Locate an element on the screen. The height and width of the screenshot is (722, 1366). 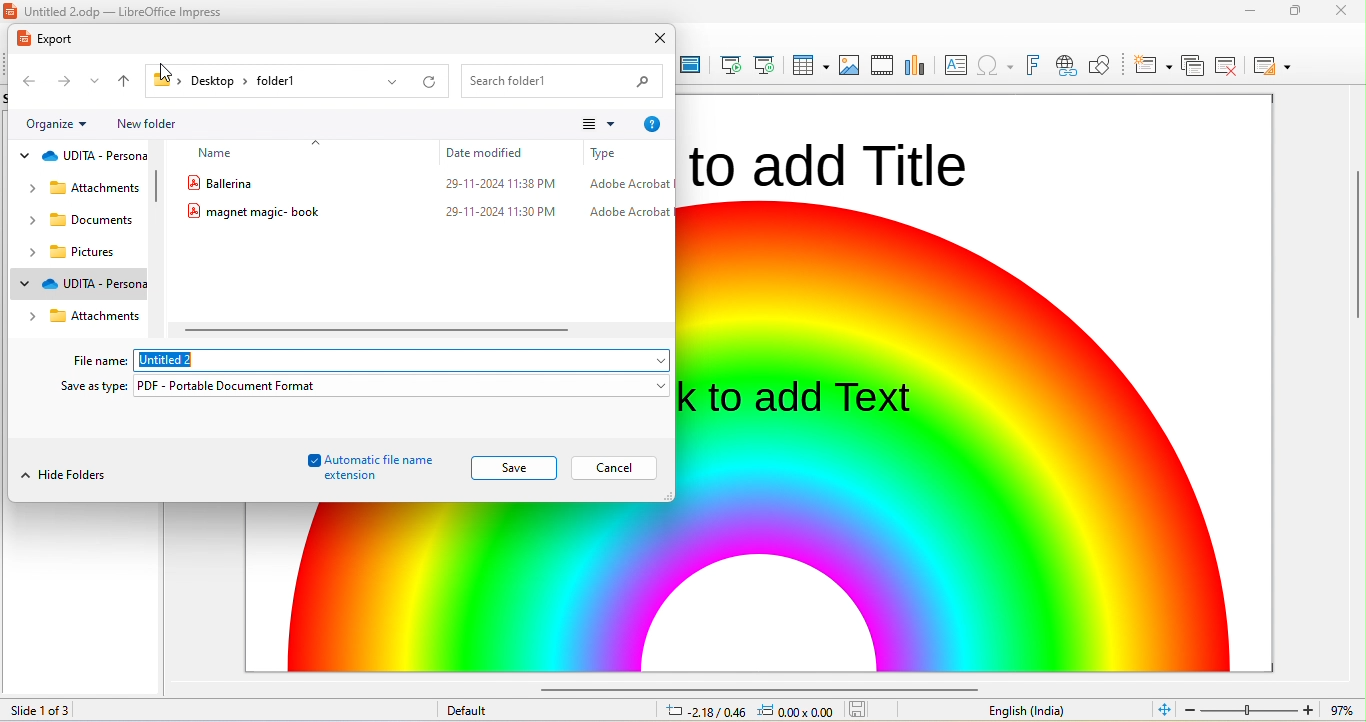
search is located at coordinates (563, 82).